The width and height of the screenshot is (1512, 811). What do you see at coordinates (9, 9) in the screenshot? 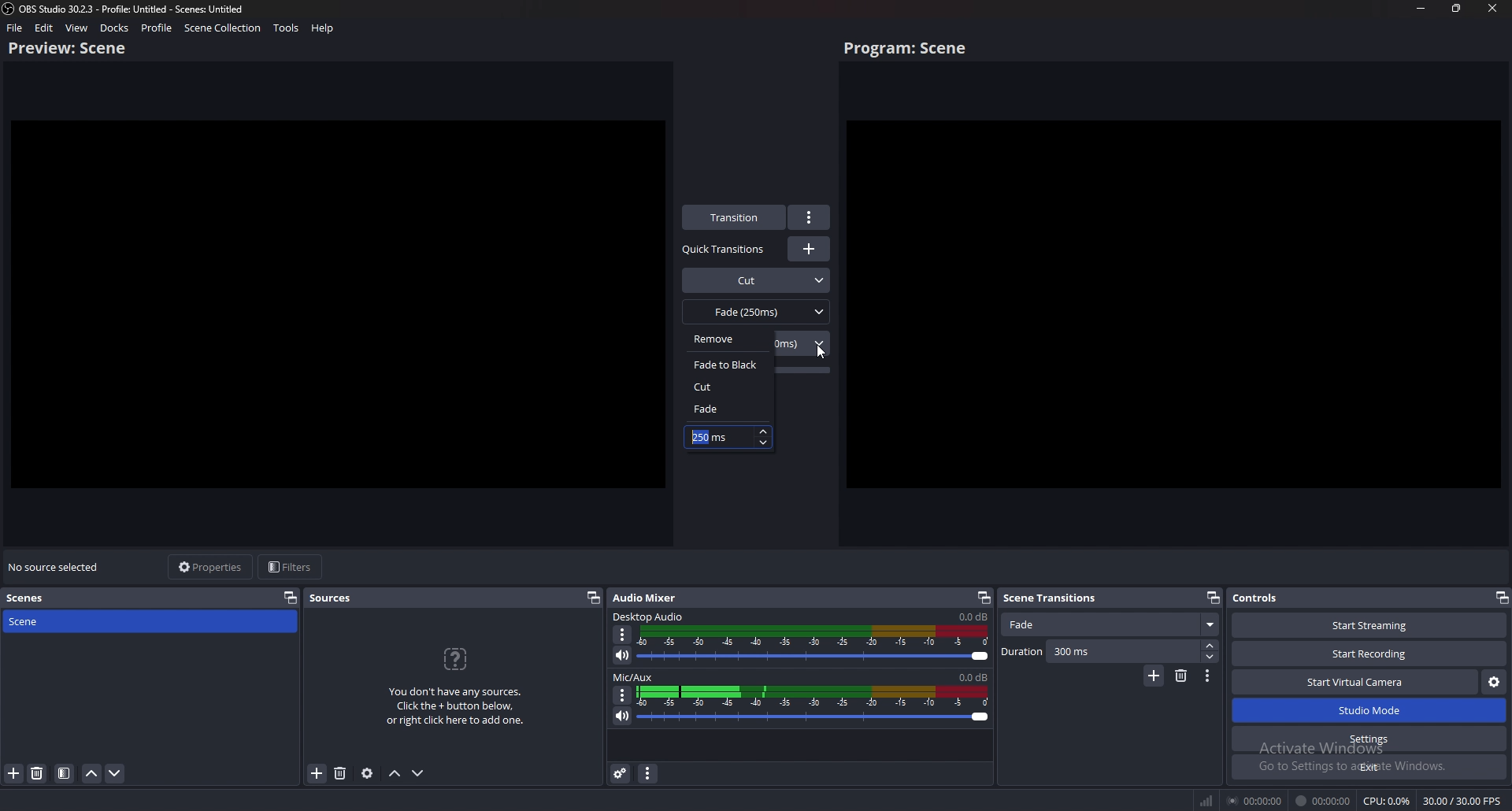
I see `obs studio` at bounding box center [9, 9].